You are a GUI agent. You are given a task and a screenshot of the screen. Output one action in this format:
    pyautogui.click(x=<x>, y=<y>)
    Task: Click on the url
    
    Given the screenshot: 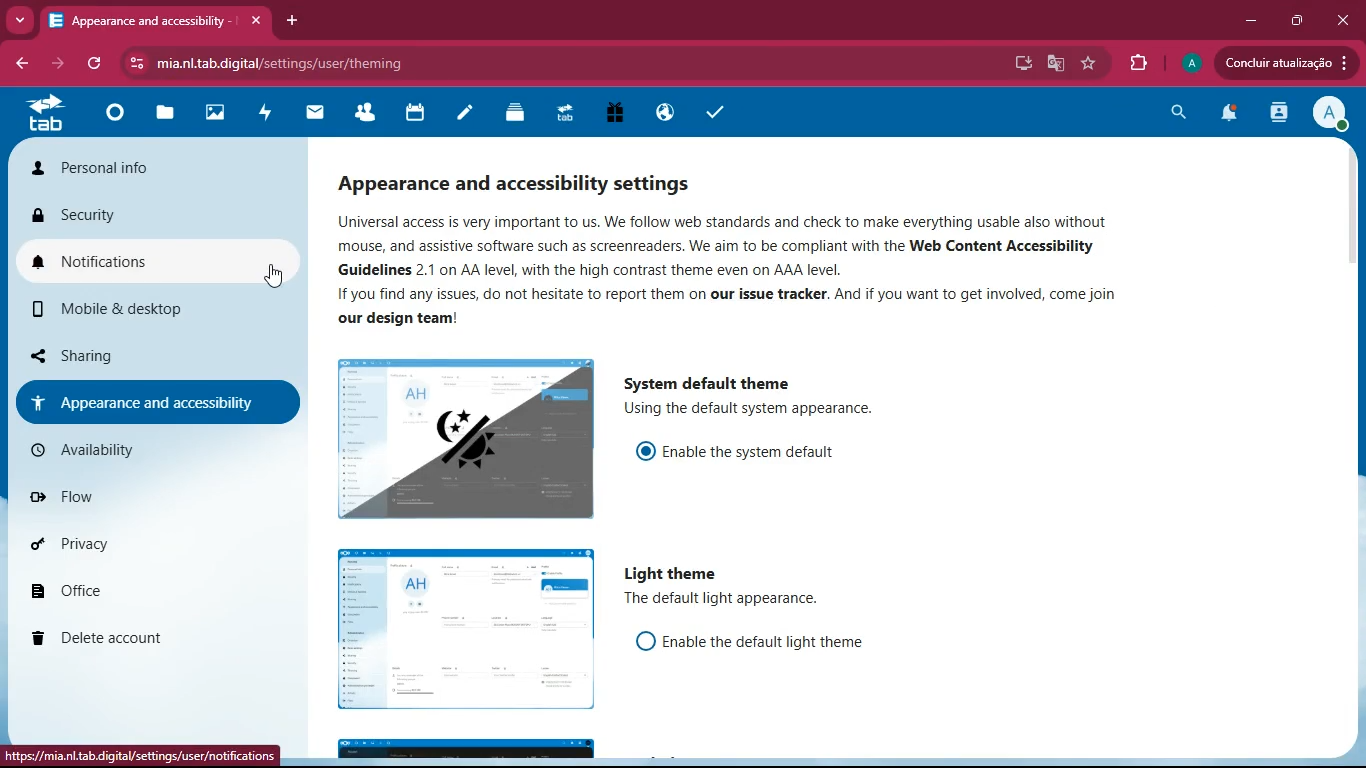 What is the action you would take?
    pyautogui.click(x=137, y=754)
    